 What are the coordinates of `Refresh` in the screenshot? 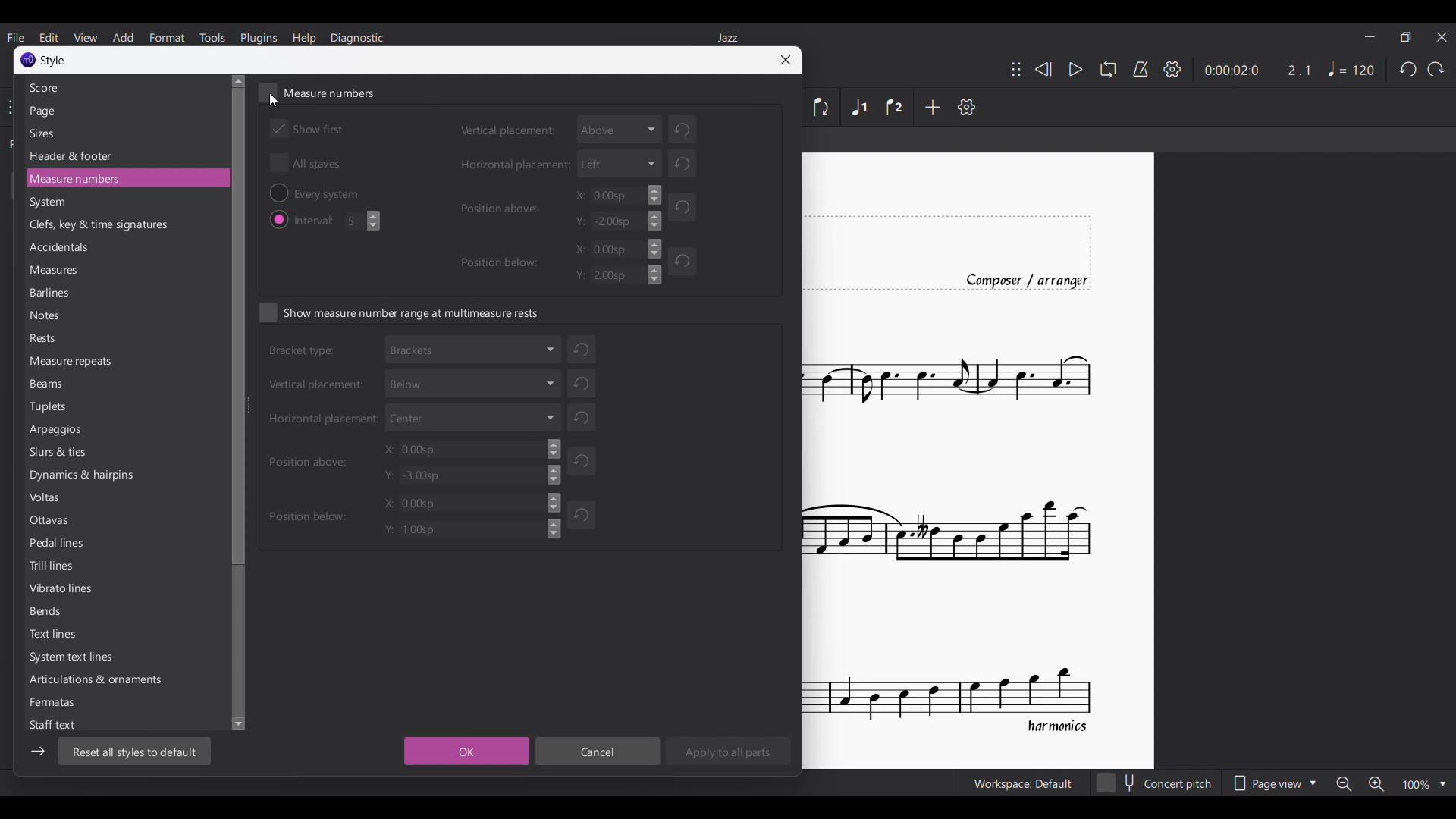 It's located at (583, 513).